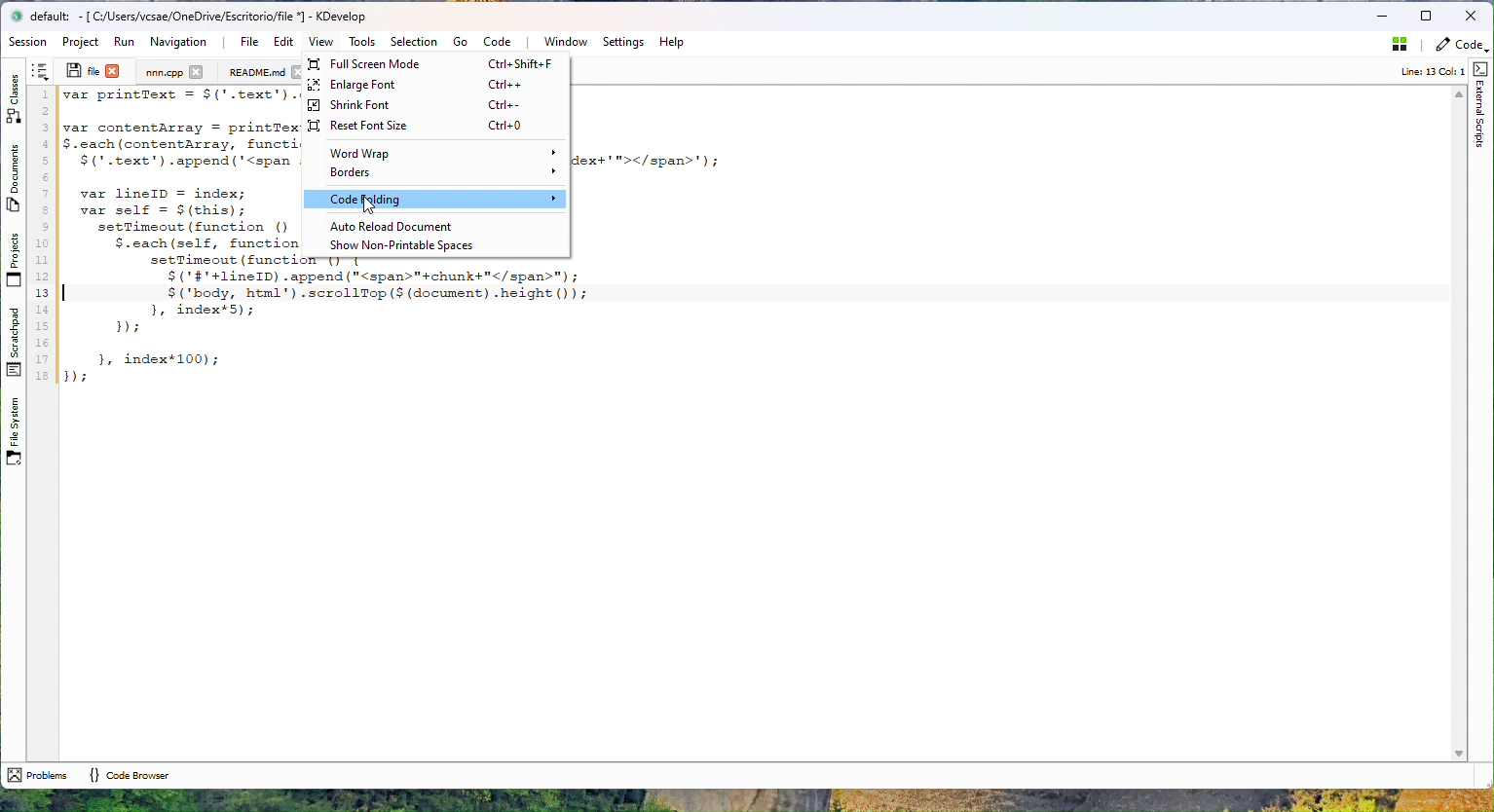 This screenshot has width=1494, height=812. Describe the element at coordinates (564, 42) in the screenshot. I see `Window` at that location.